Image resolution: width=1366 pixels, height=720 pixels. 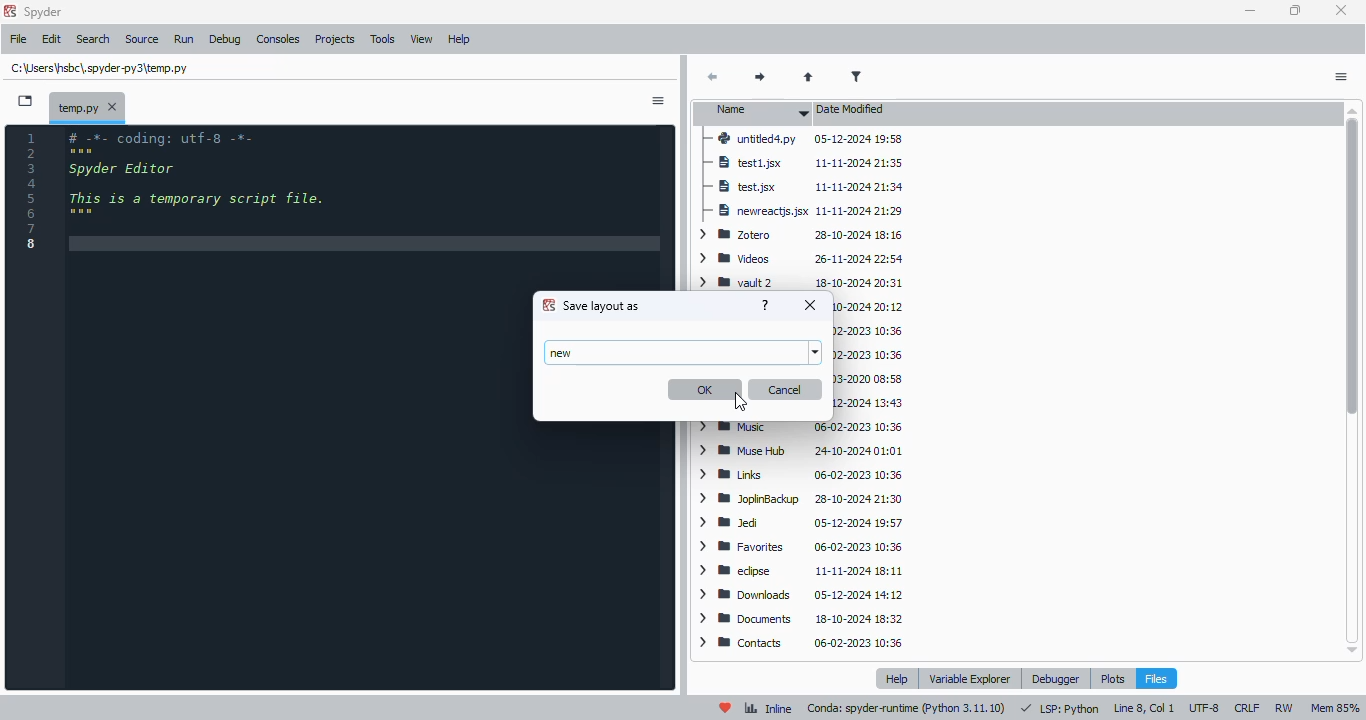 What do you see at coordinates (816, 353) in the screenshot?
I see `browse` at bounding box center [816, 353].